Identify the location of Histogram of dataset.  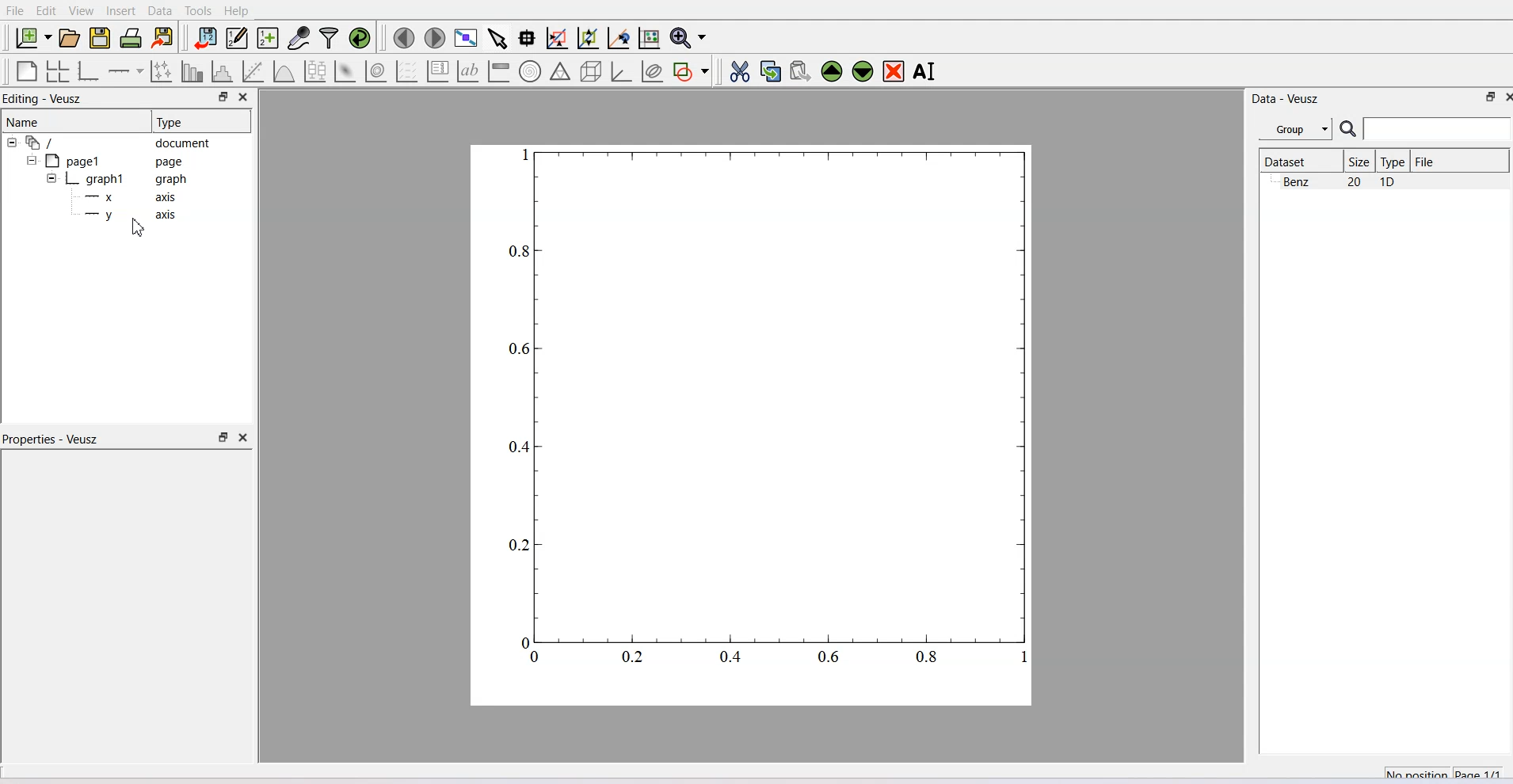
(221, 70).